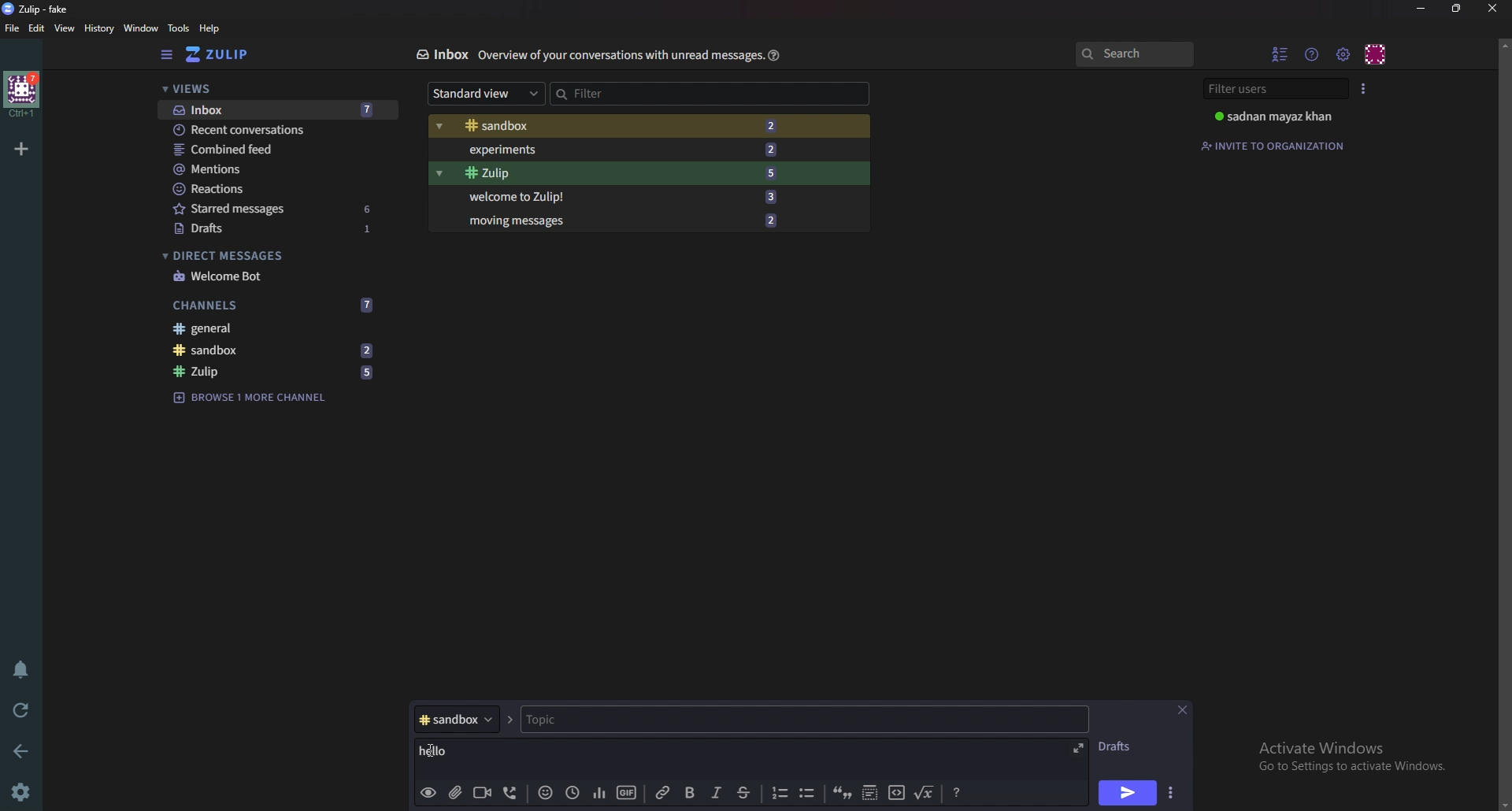 The image size is (1512, 811). What do you see at coordinates (231, 109) in the screenshot?
I see `Inbox` at bounding box center [231, 109].